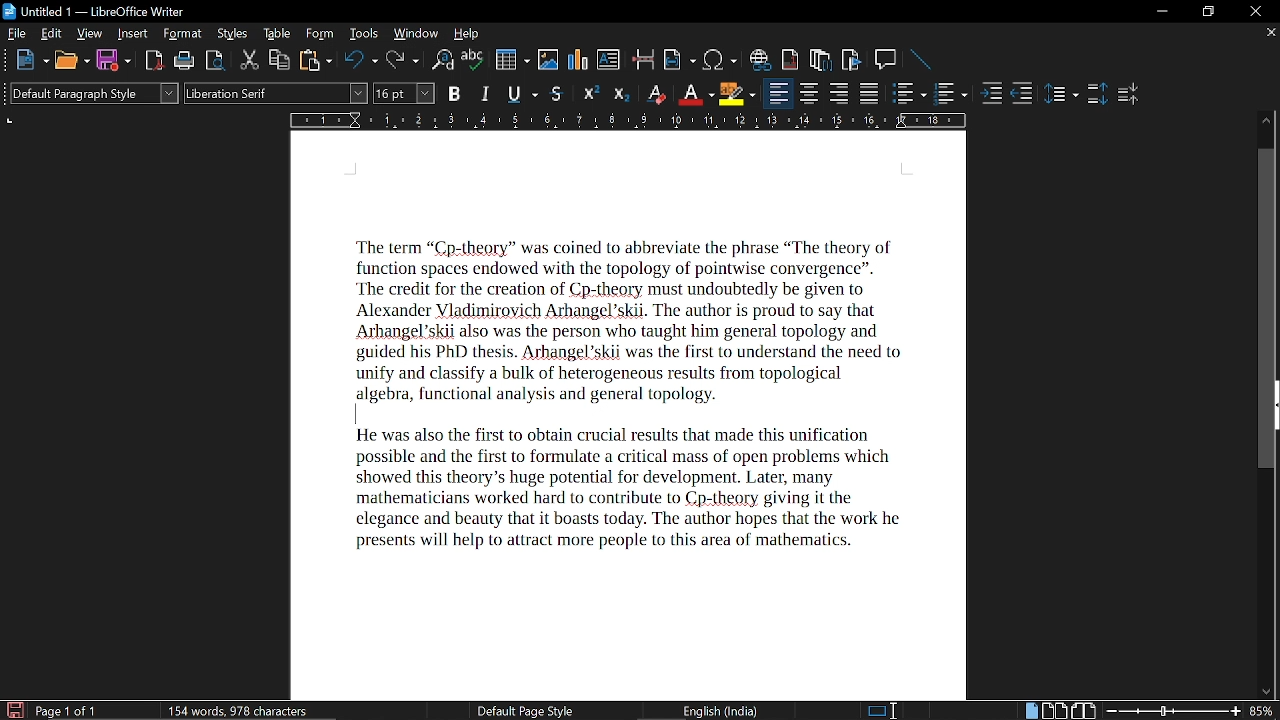 The height and width of the screenshot is (720, 1280). What do you see at coordinates (280, 60) in the screenshot?
I see `Copy` at bounding box center [280, 60].